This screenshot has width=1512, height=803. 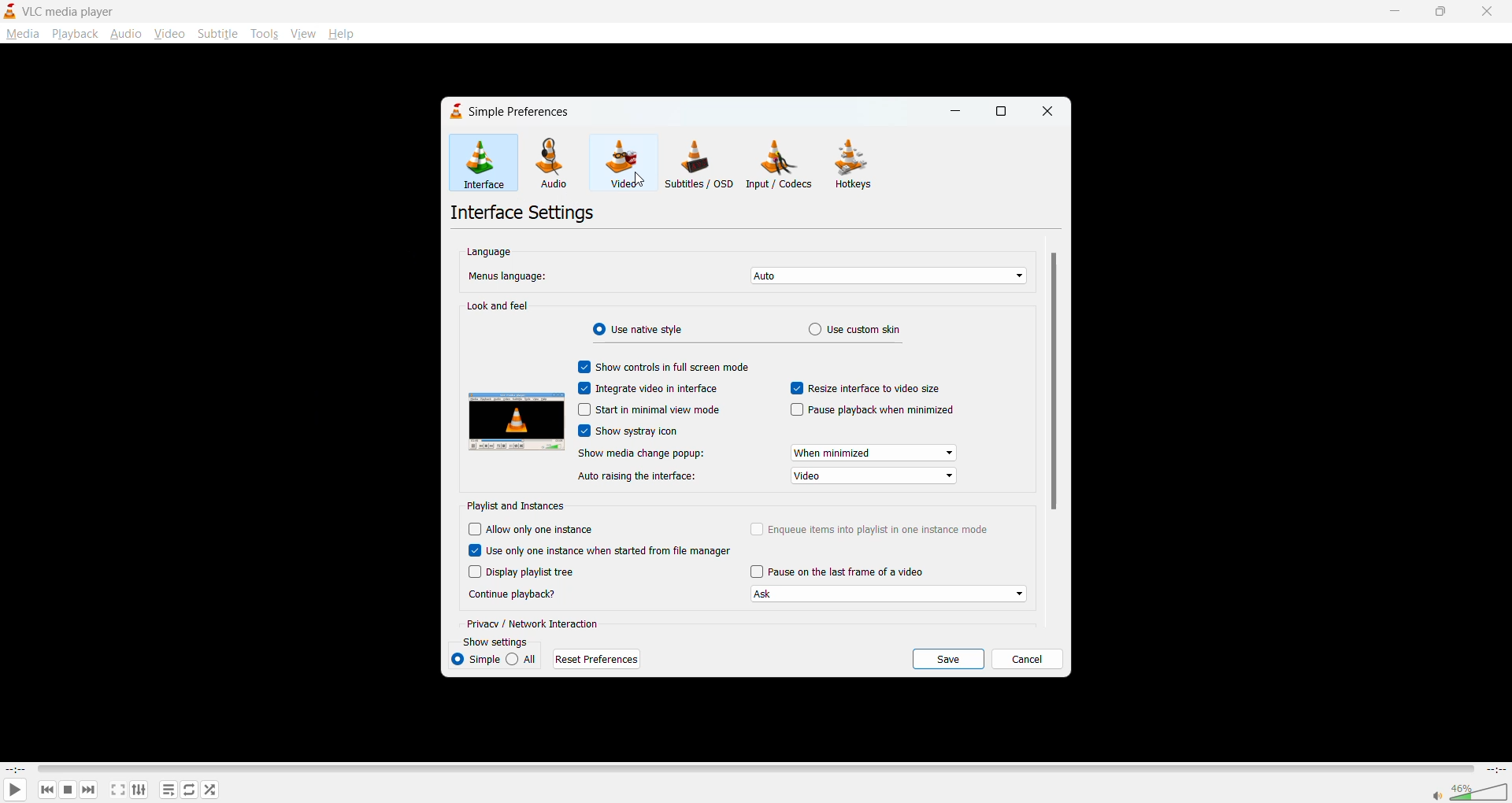 I want to click on help, so click(x=340, y=33).